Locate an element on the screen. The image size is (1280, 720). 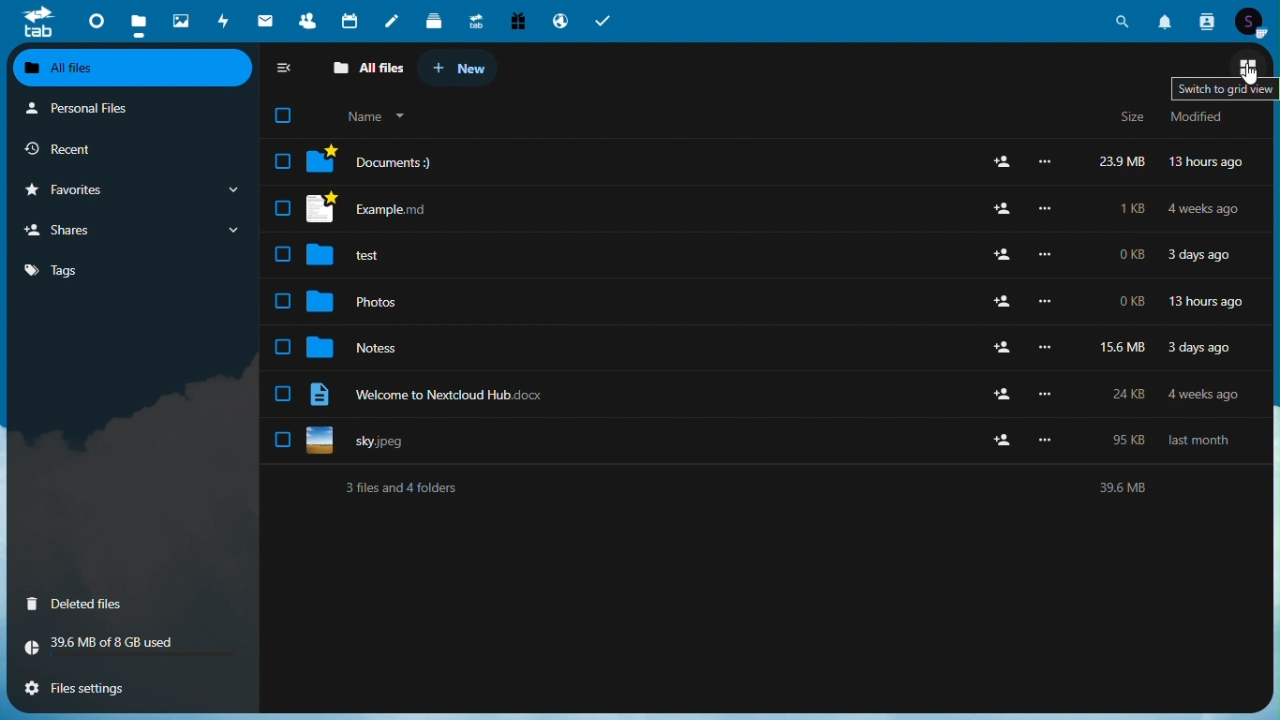
95 kb is located at coordinates (1128, 441).